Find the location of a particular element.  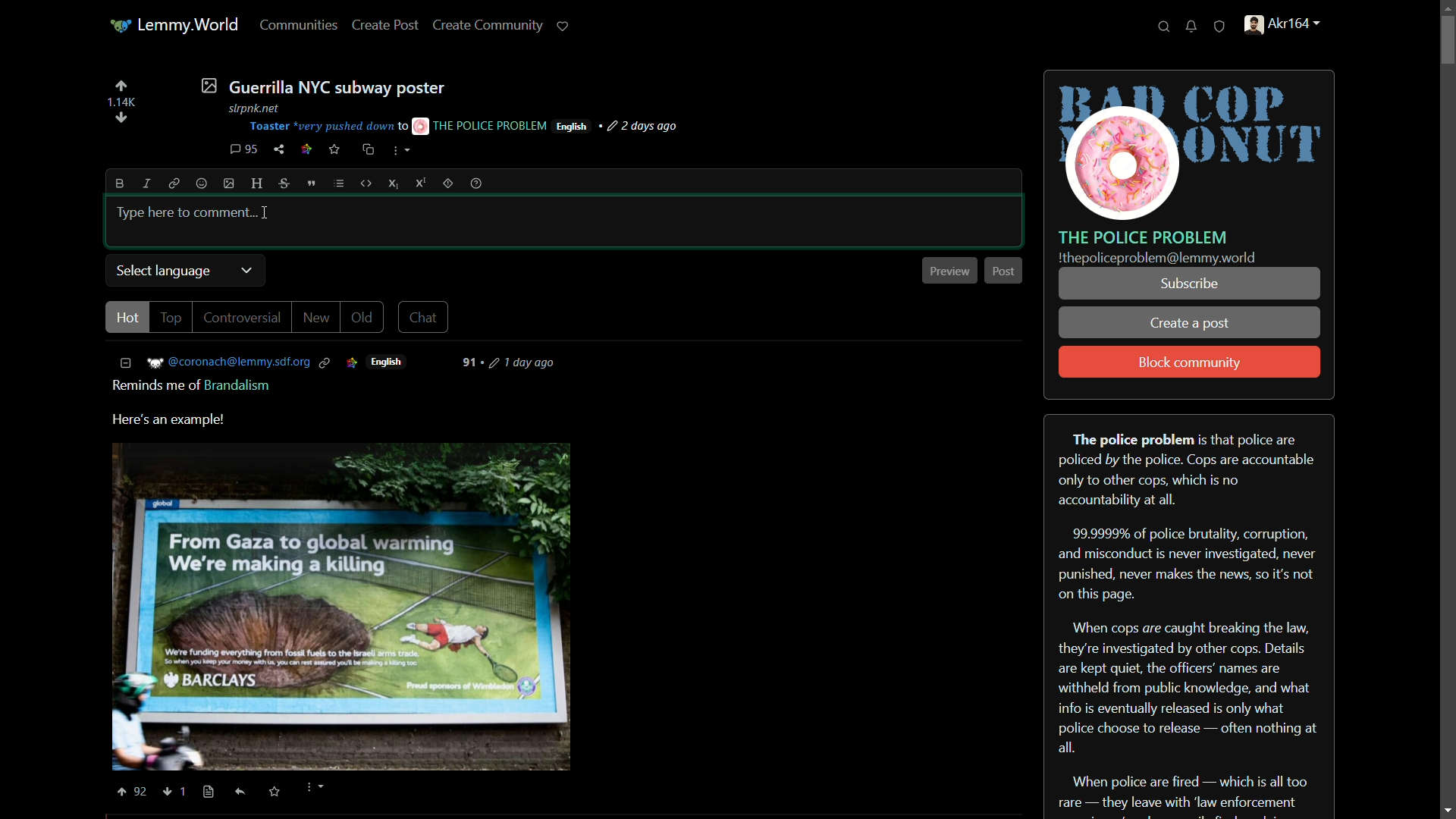

cross-post is located at coordinates (367, 149).